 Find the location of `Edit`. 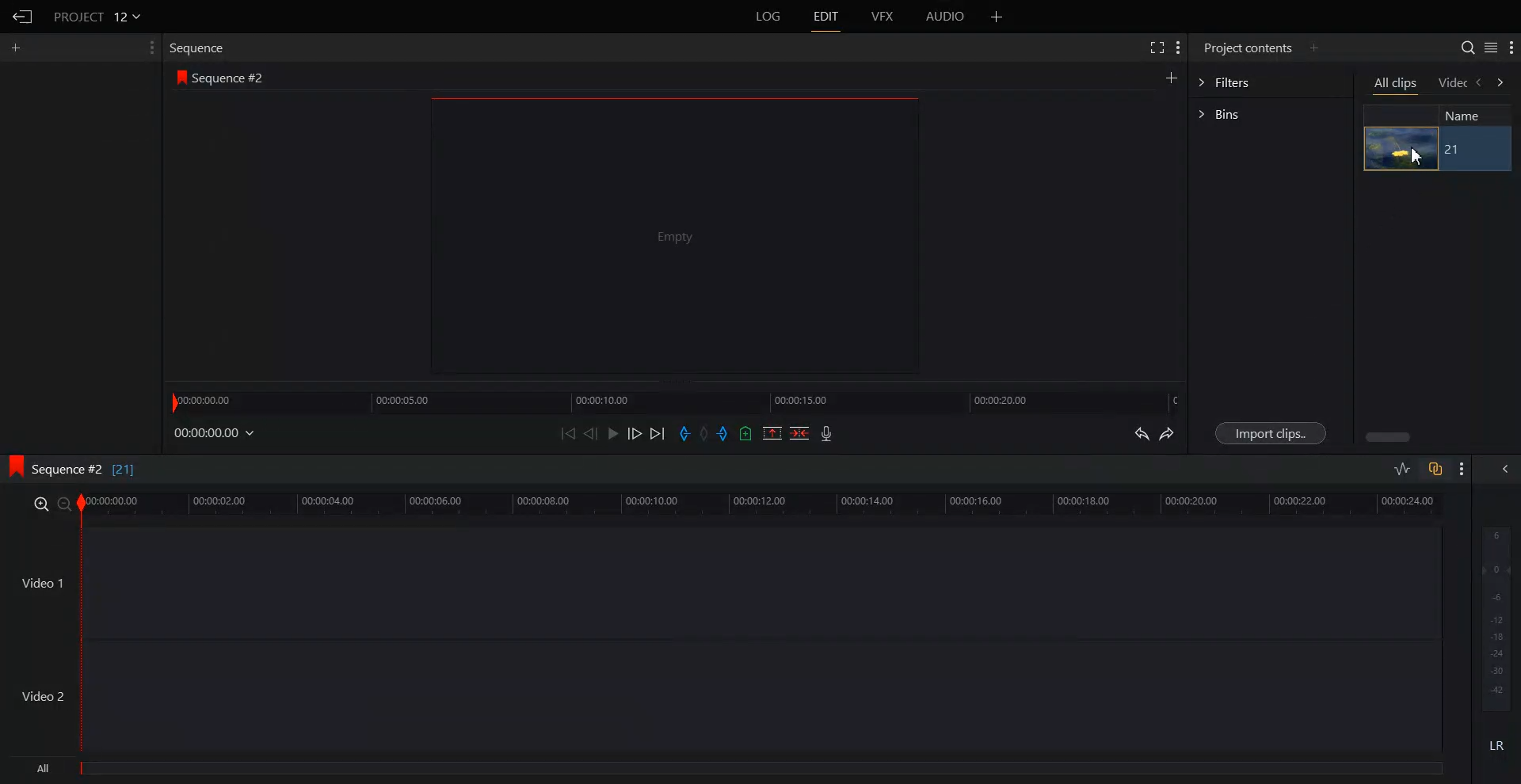

Edit is located at coordinates (825, 17).